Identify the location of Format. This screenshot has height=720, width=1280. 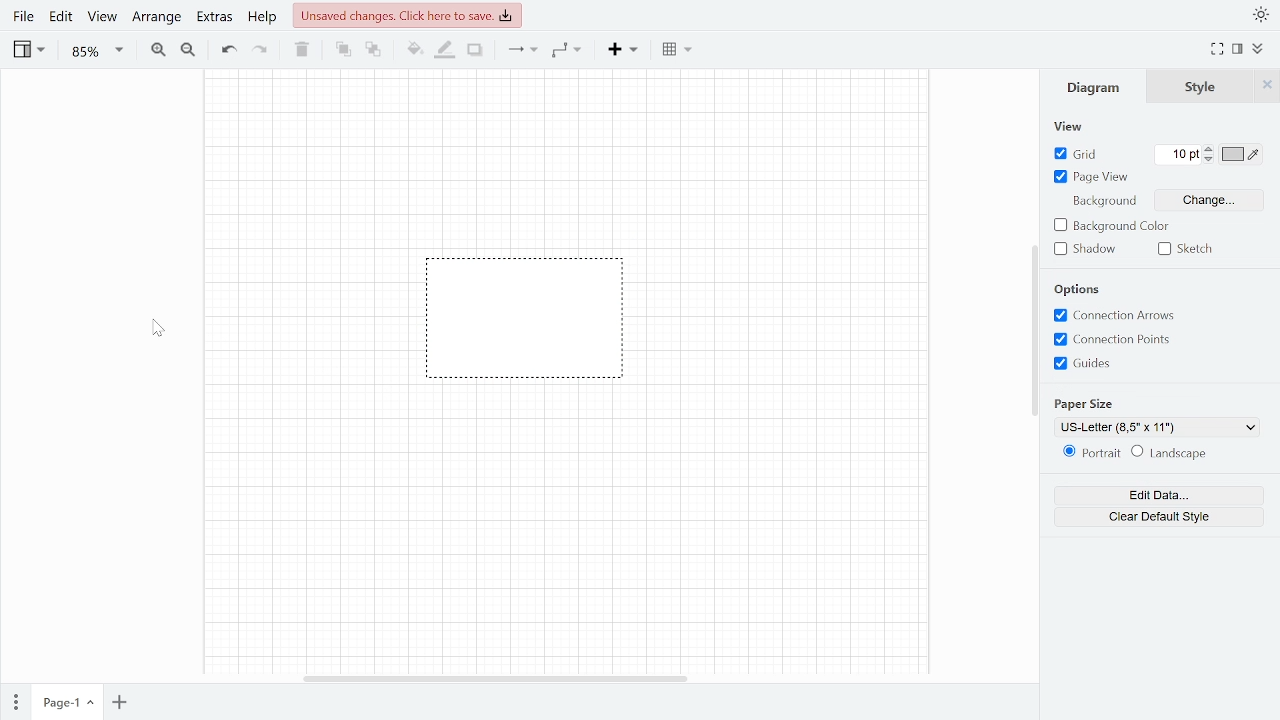
(1237, 50).